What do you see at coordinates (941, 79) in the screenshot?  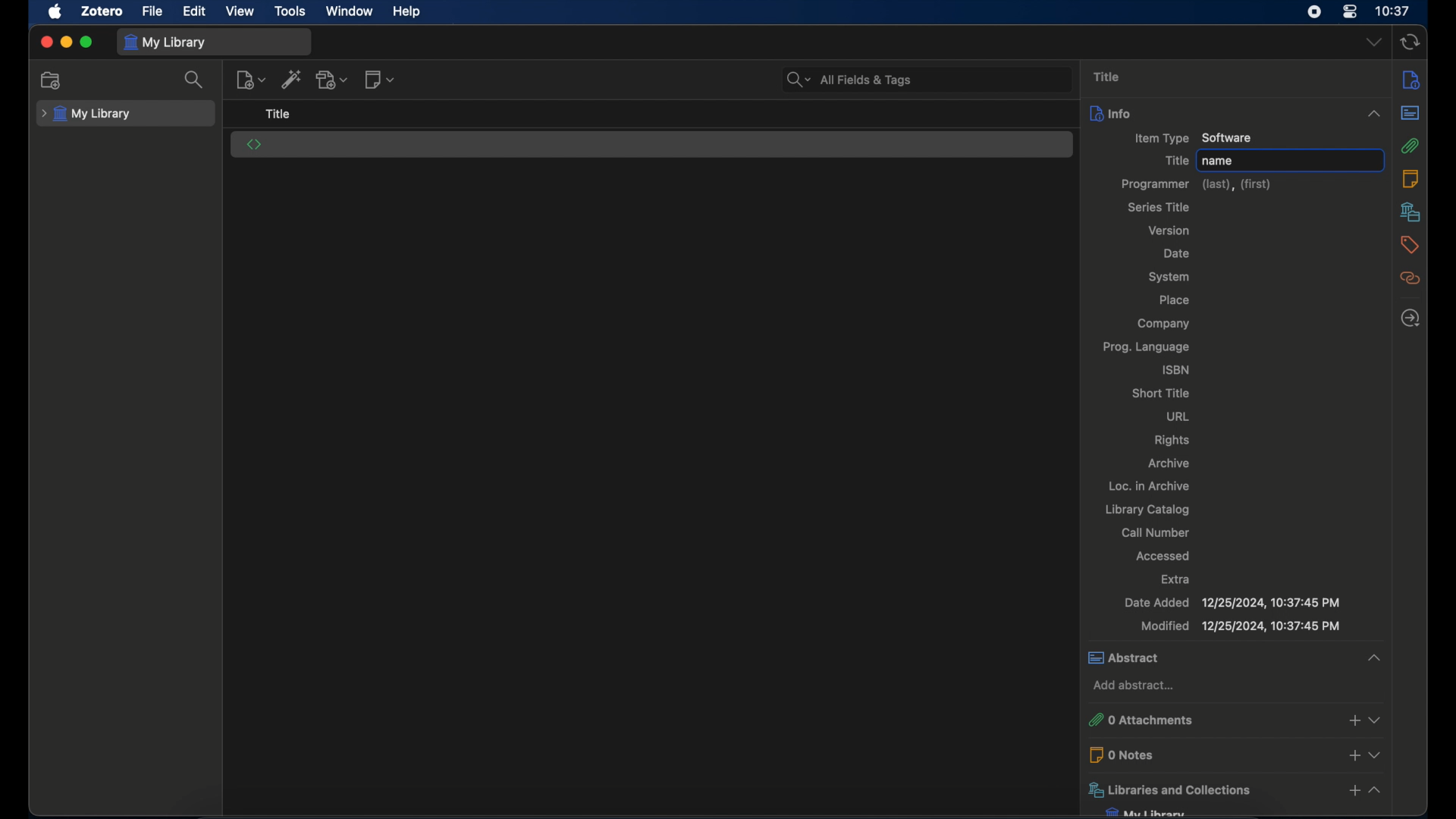 I see `search bar input` at bounding box center [941, 79].